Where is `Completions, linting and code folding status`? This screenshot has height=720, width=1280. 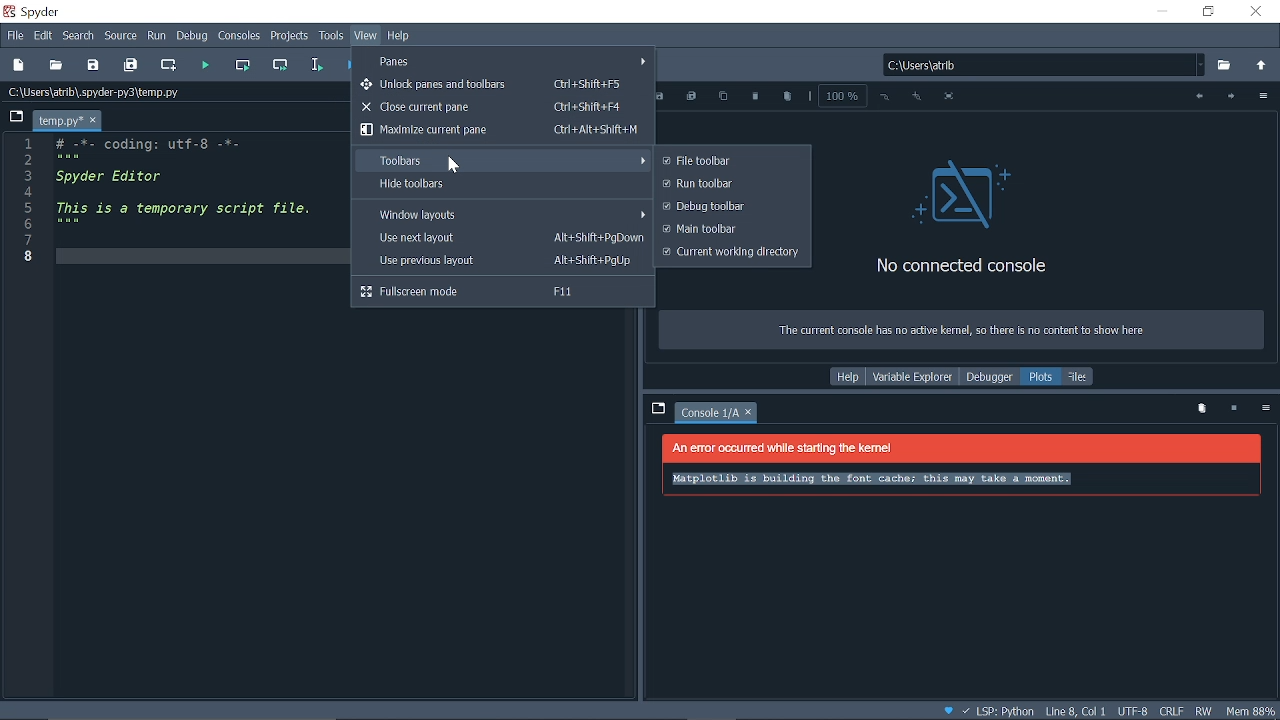 Completions, linting and code folding status is located at coordinates (989, 712).